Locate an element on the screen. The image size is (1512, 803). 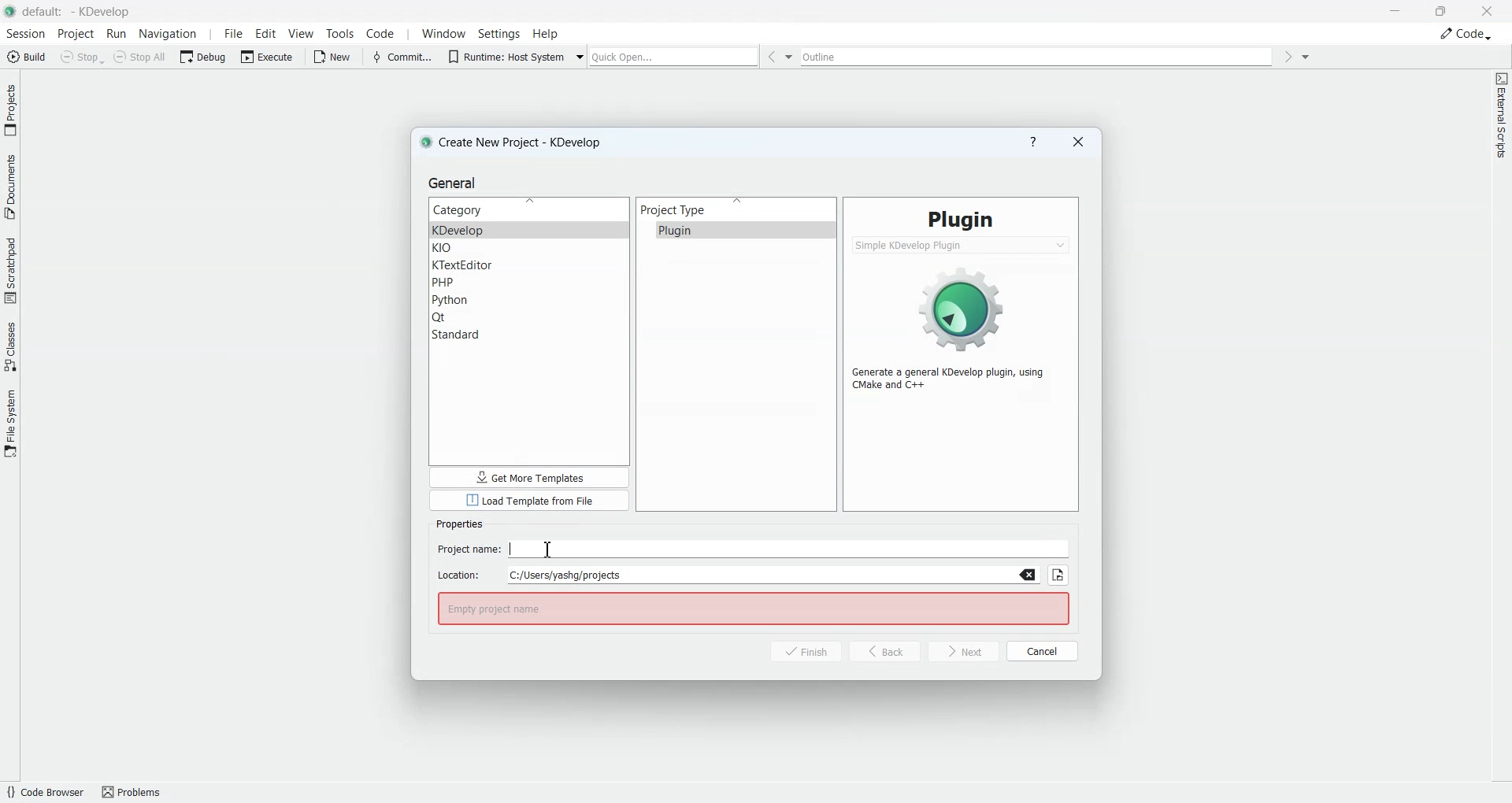
View is located at coordinates (302, 33).